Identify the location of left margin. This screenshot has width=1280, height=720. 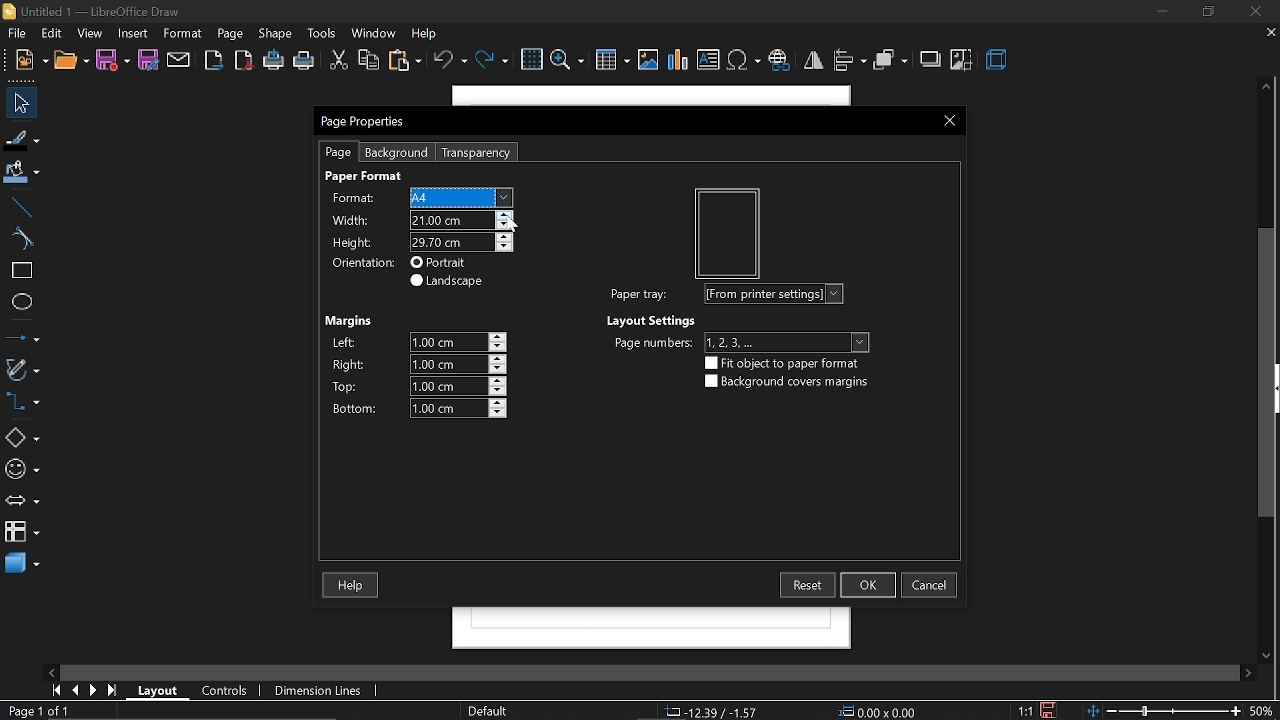
(346, 340).